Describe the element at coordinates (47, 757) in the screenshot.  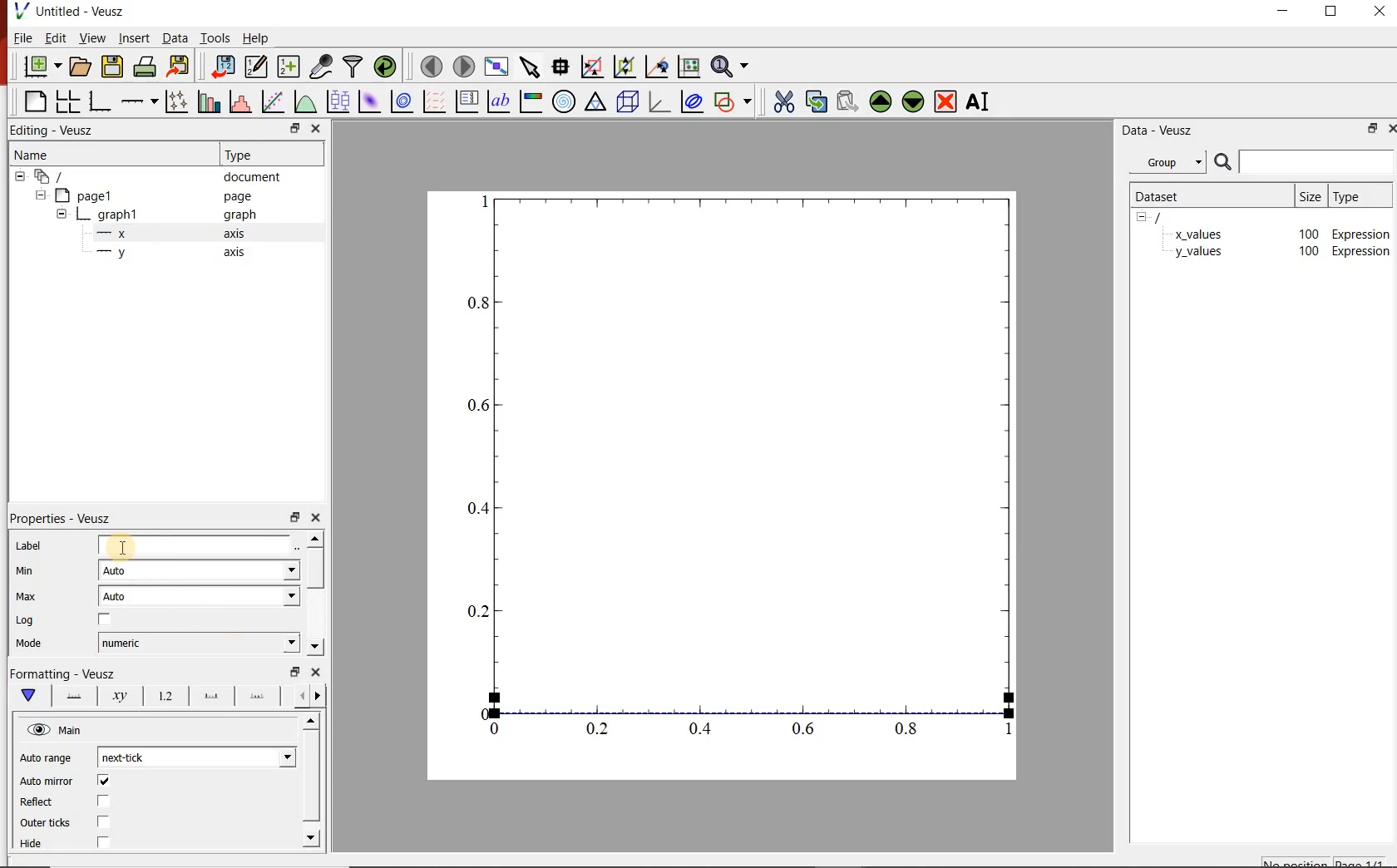
I see `Auto range` at that location.